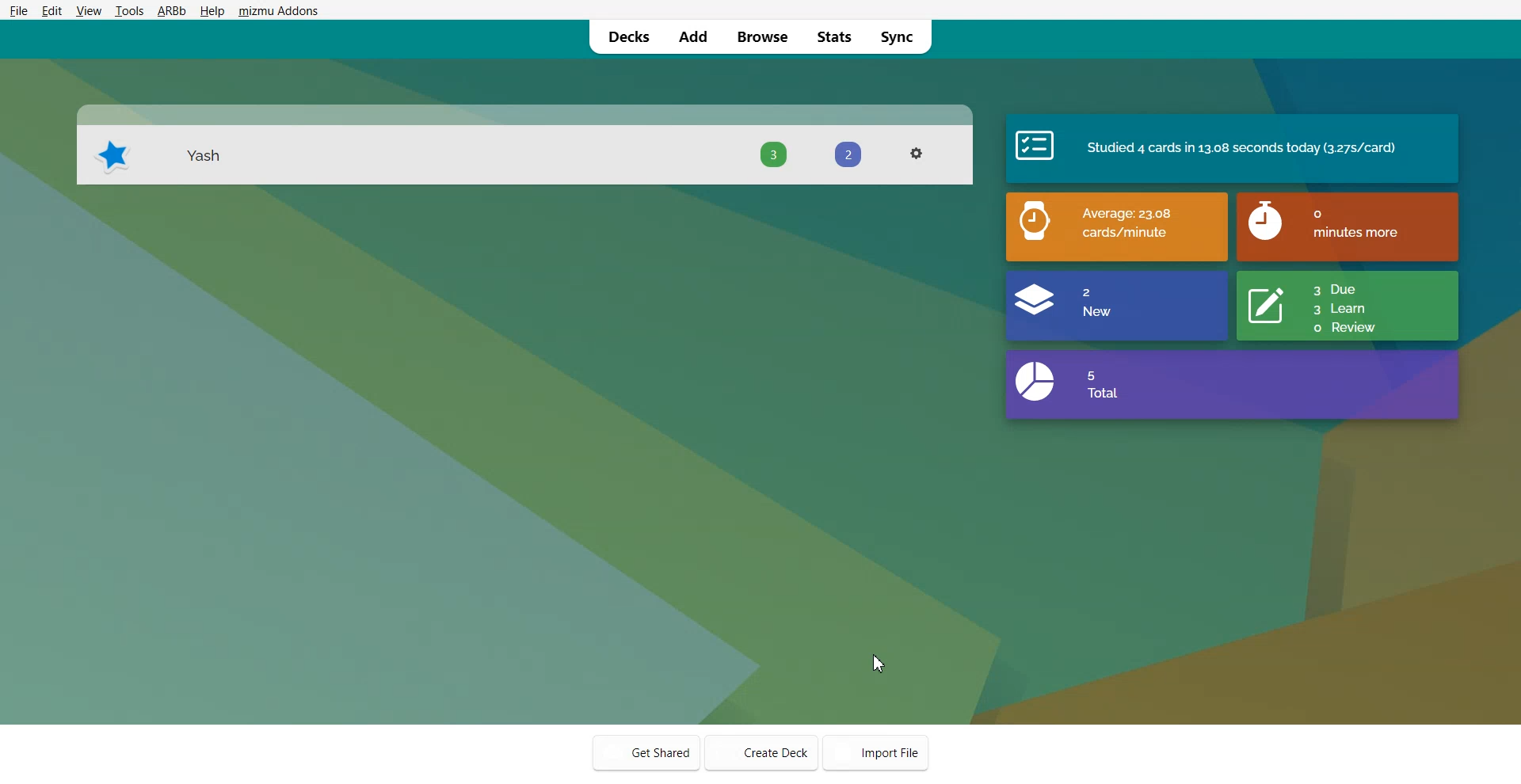 The image size is (1521, 784). Describe the element at coordinates (646, 751) in the screenshot. I see `Get Shared` at that location.